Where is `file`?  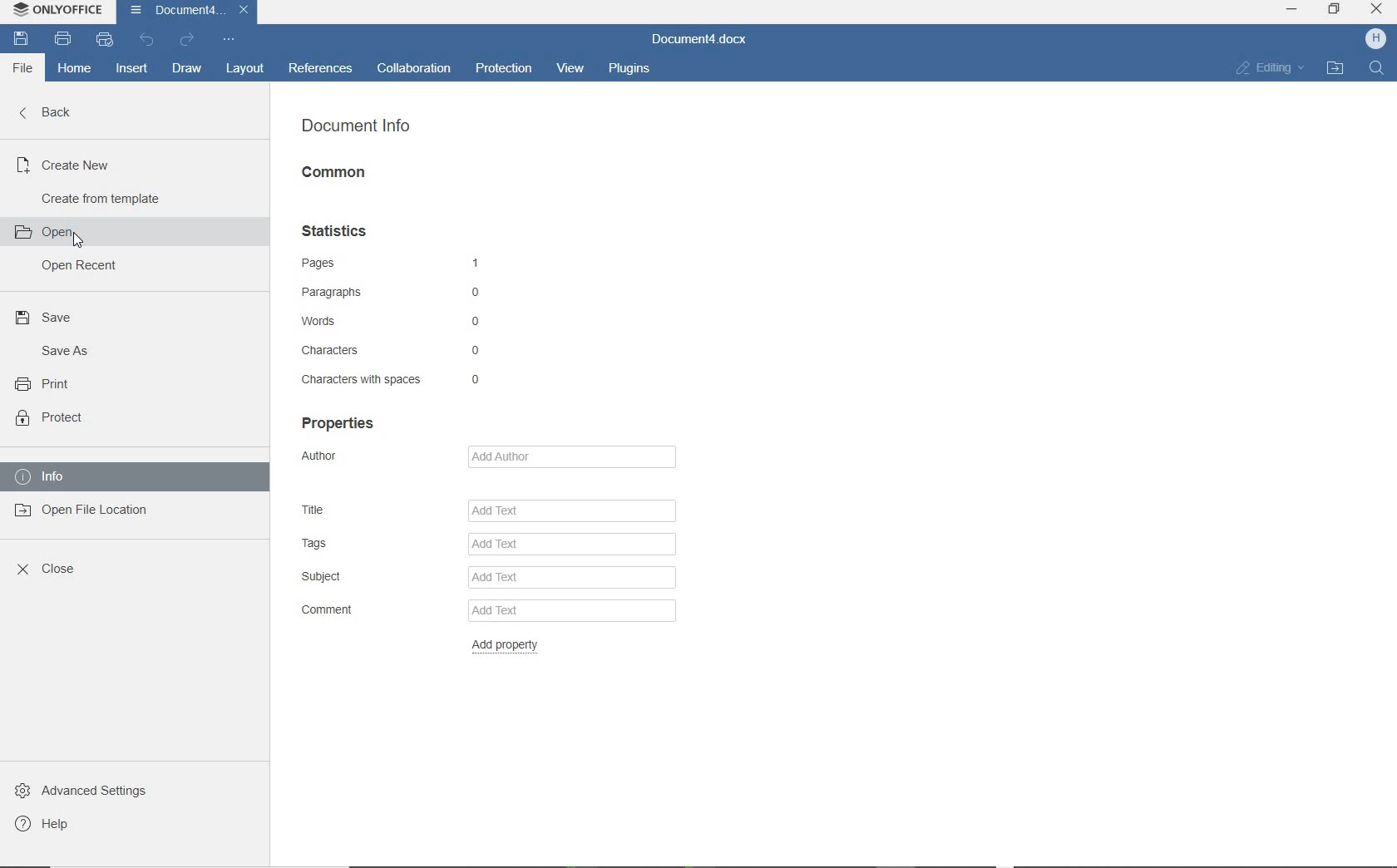 file is located at coordinates (21, 68).